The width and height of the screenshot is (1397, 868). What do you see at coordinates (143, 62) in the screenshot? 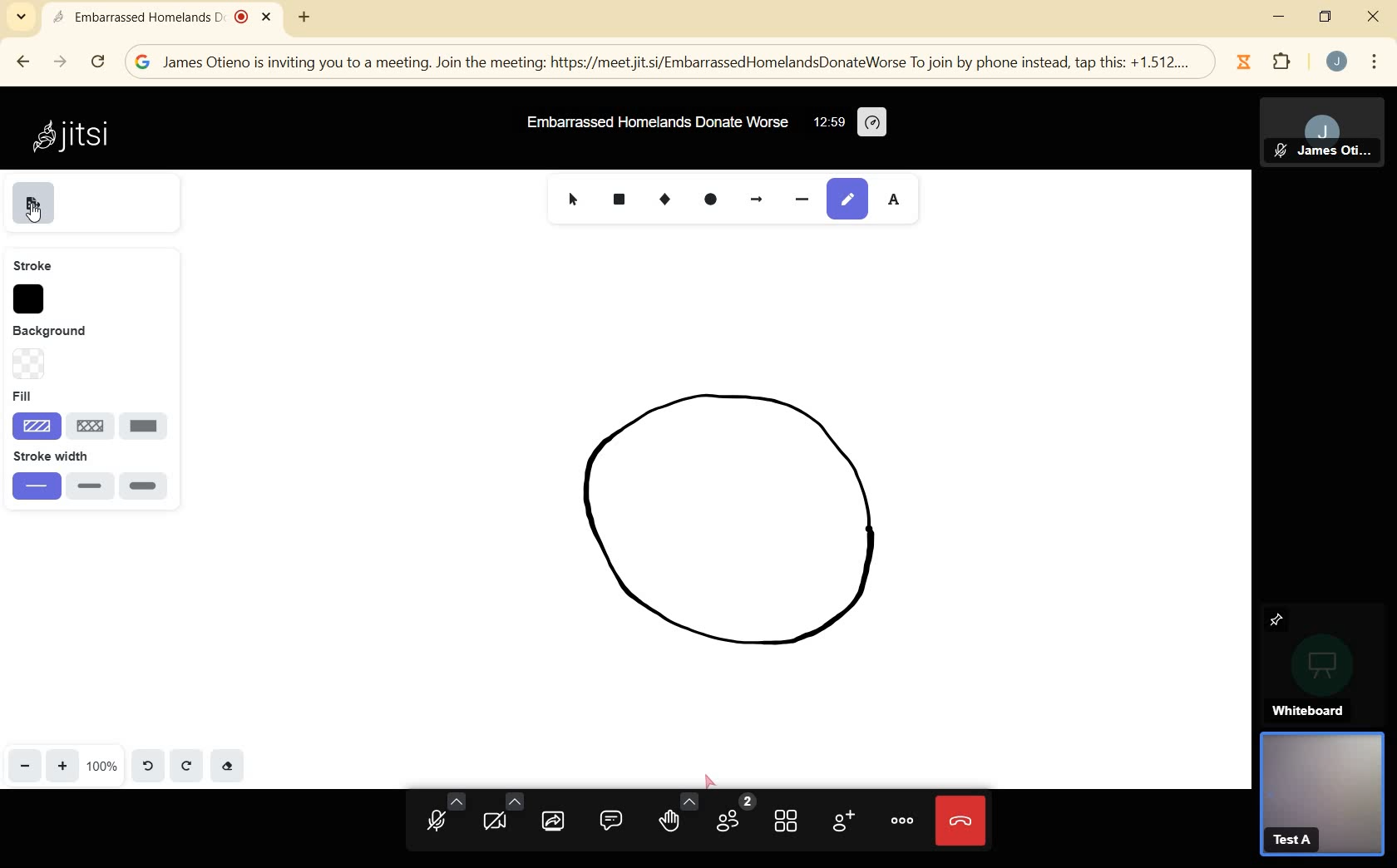
I see `google logo` at bounding box center [143, 62].